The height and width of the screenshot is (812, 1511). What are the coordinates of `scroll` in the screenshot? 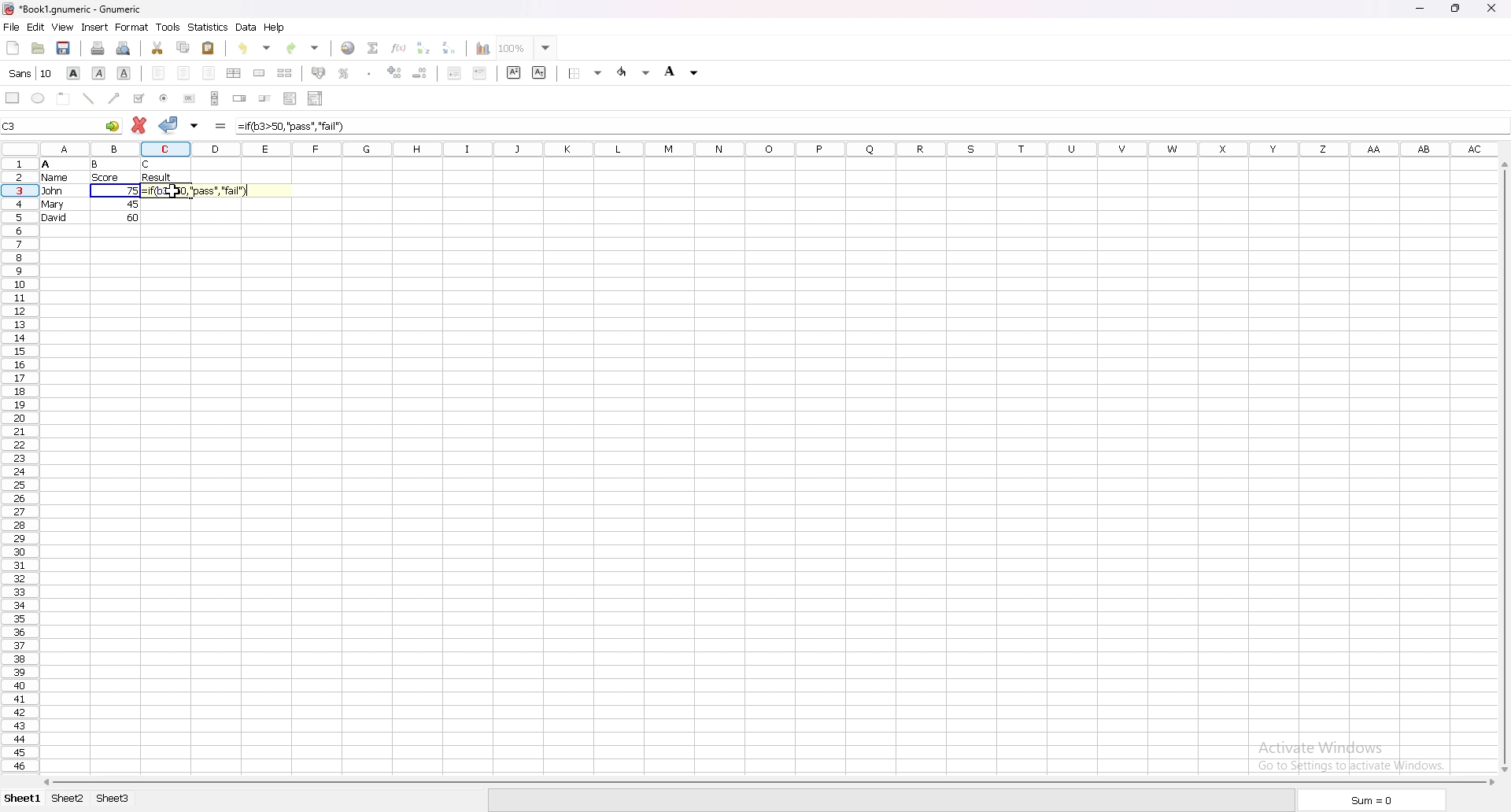 It's located at (215, 98).